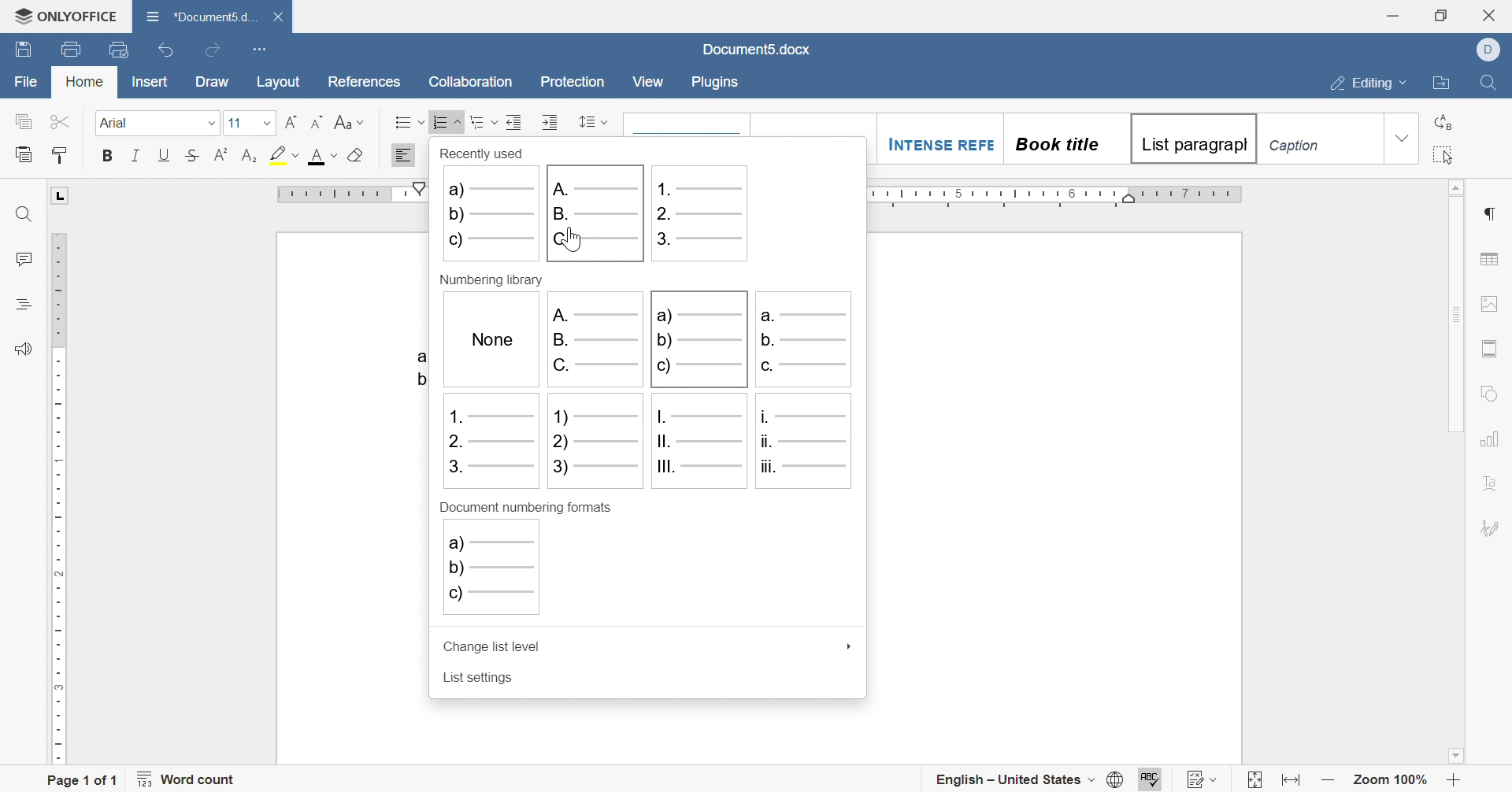 This screenshot has height=792, width=1512. I want to click on none, so click(490, 340).